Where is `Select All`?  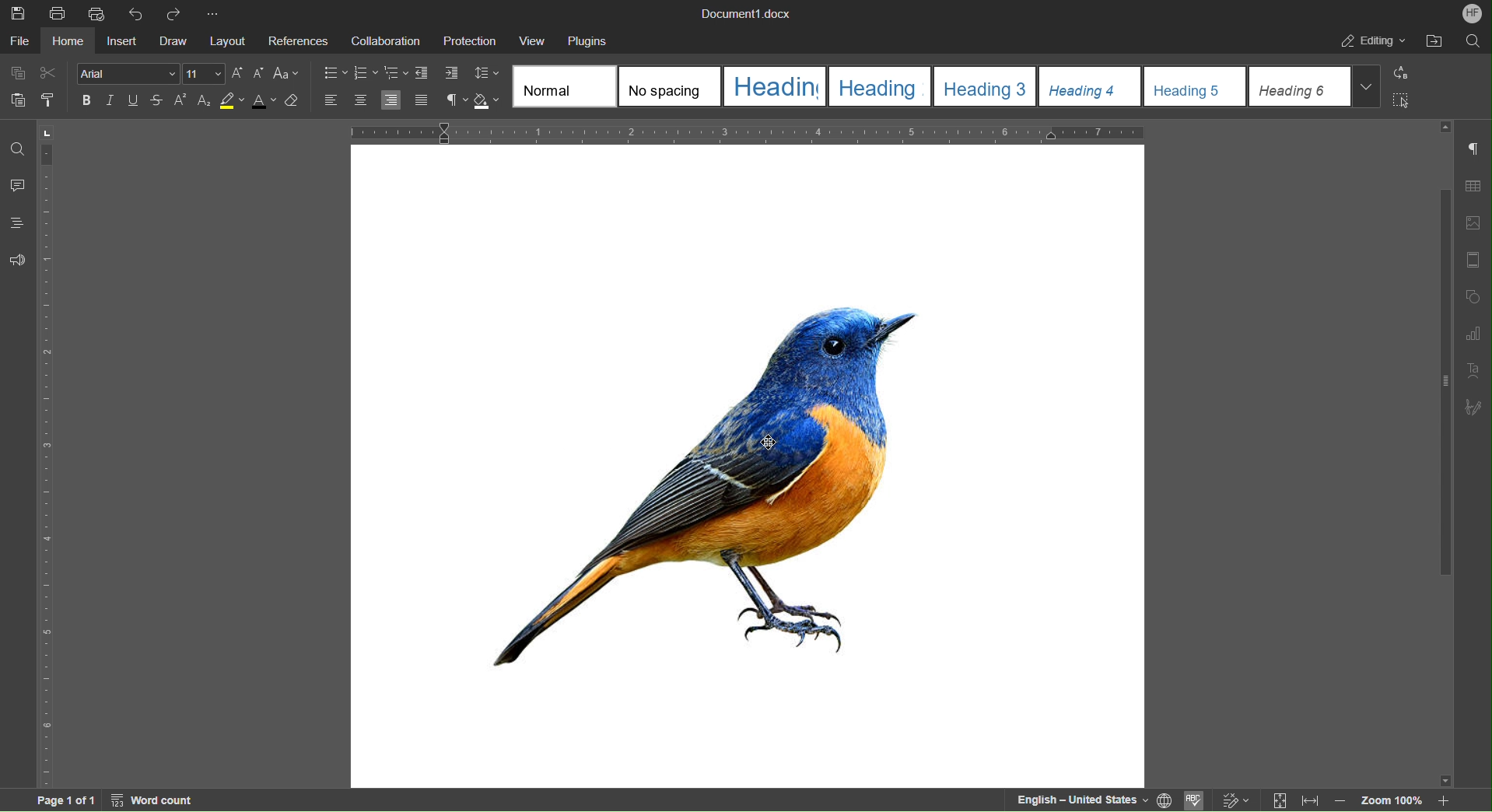
Select All is located at coordinates (1400, 101).